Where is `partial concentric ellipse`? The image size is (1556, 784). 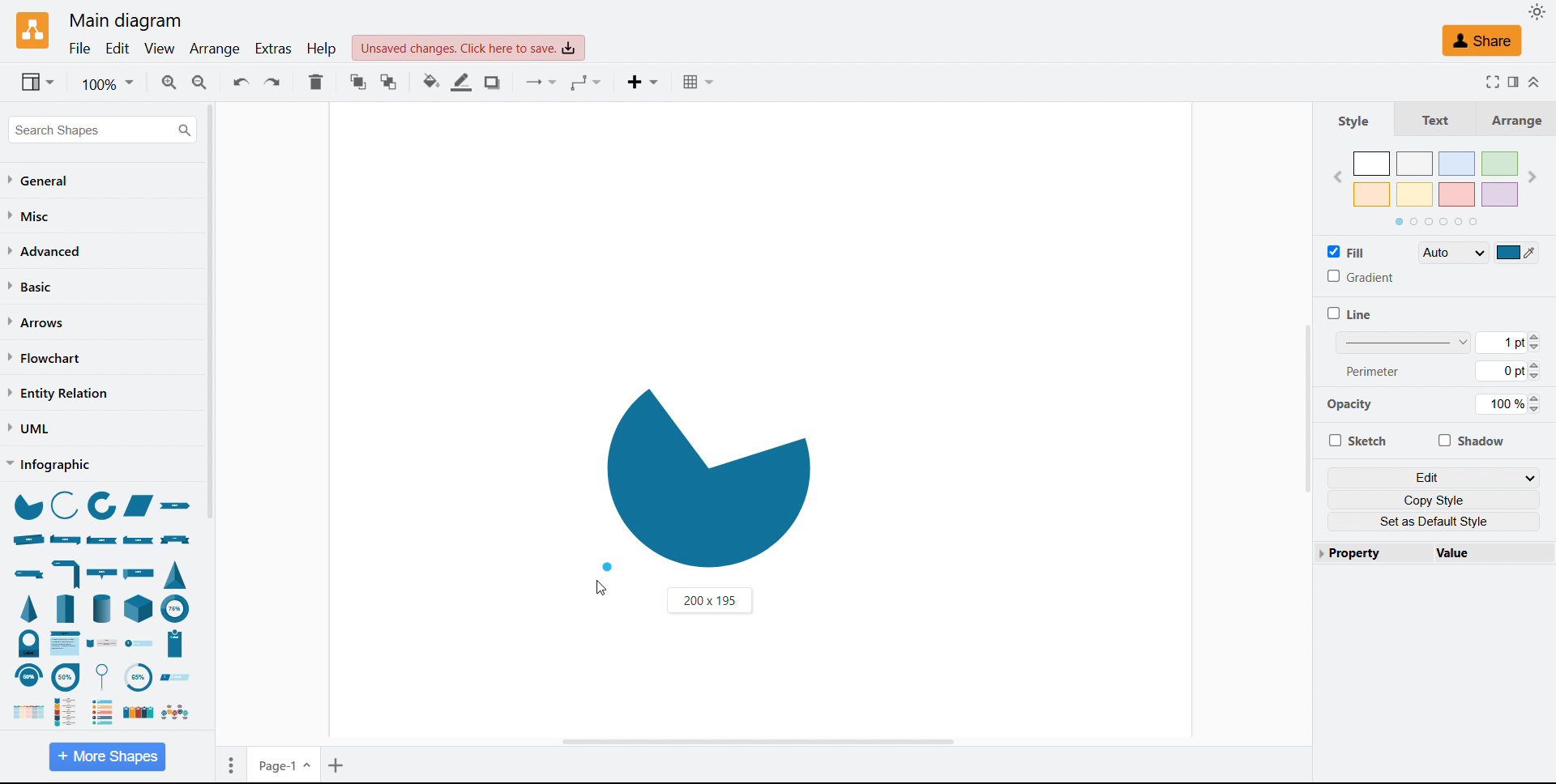 partial concentric ellipse is located at coordinates (176, 607).